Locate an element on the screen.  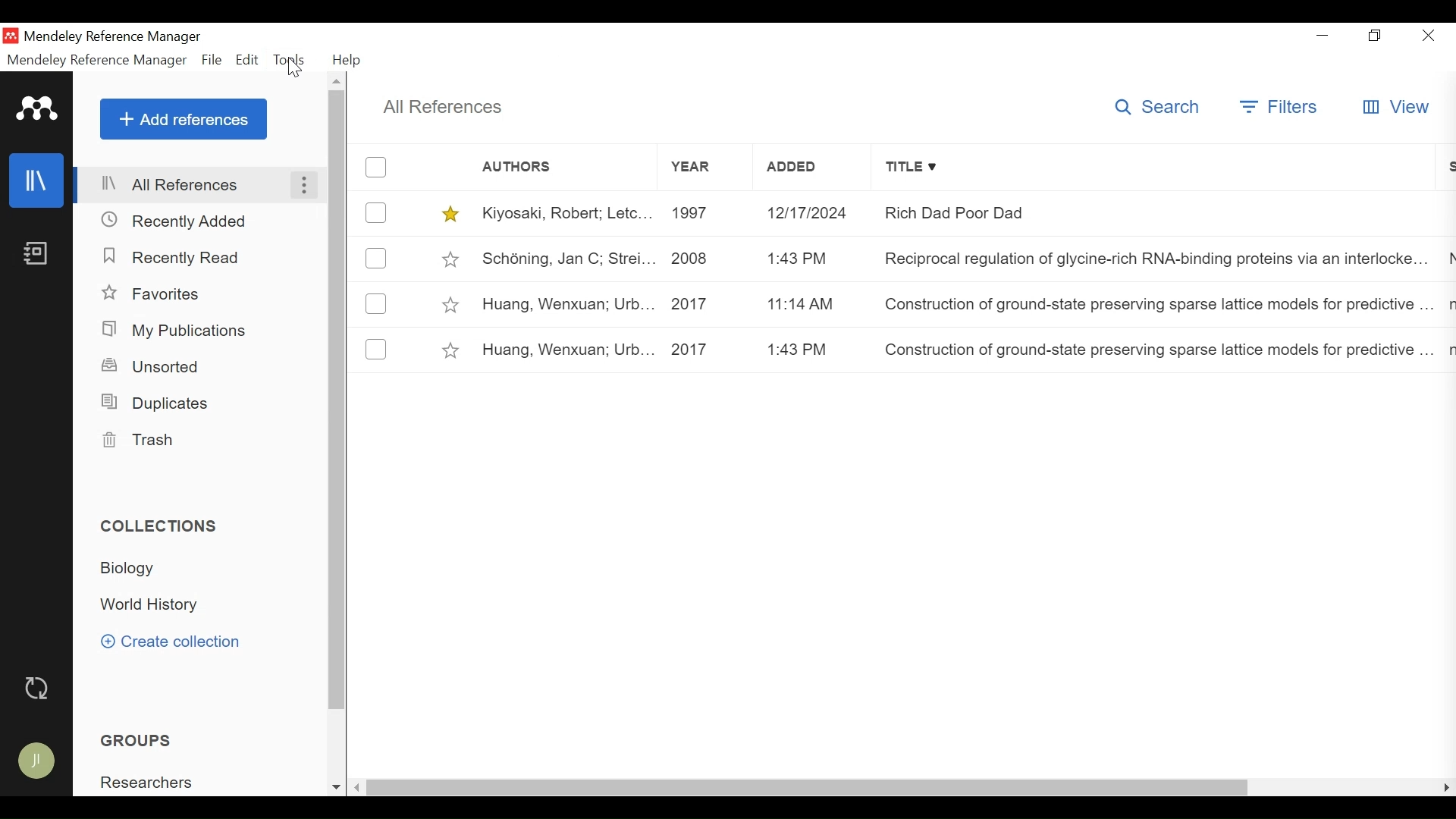
Tools is located at coordinates (290, 61).